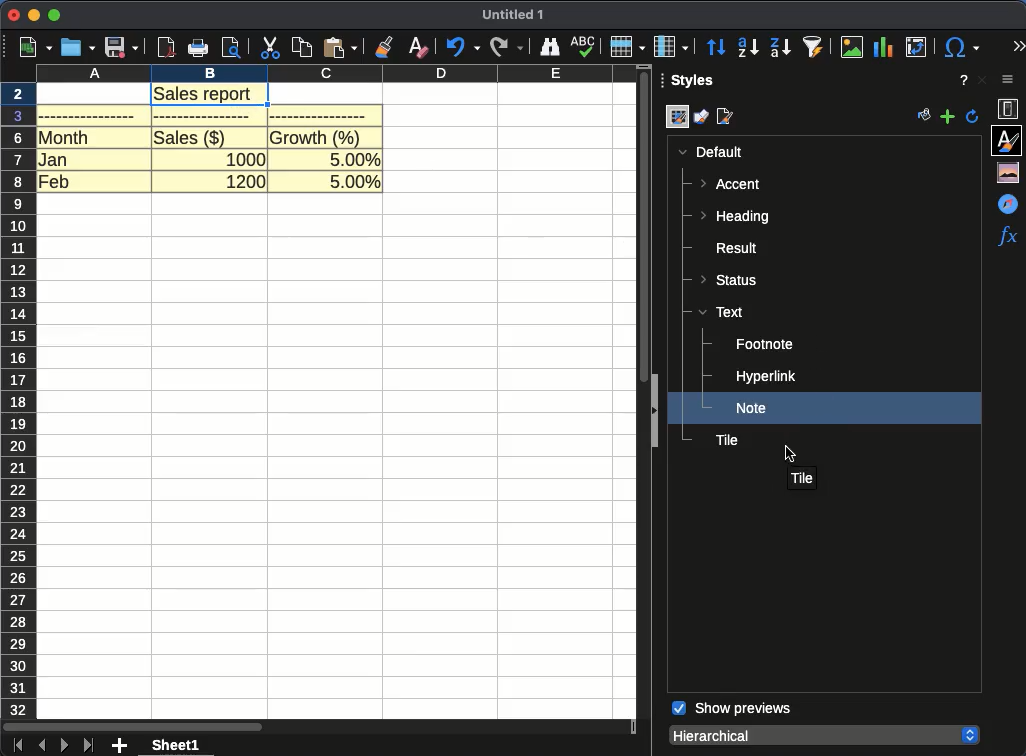 The image size is (1026, 756). What do you see at coordinates (383, 47) in the screenshot?
I see `clone formatting` at bounding box center [383, 47].